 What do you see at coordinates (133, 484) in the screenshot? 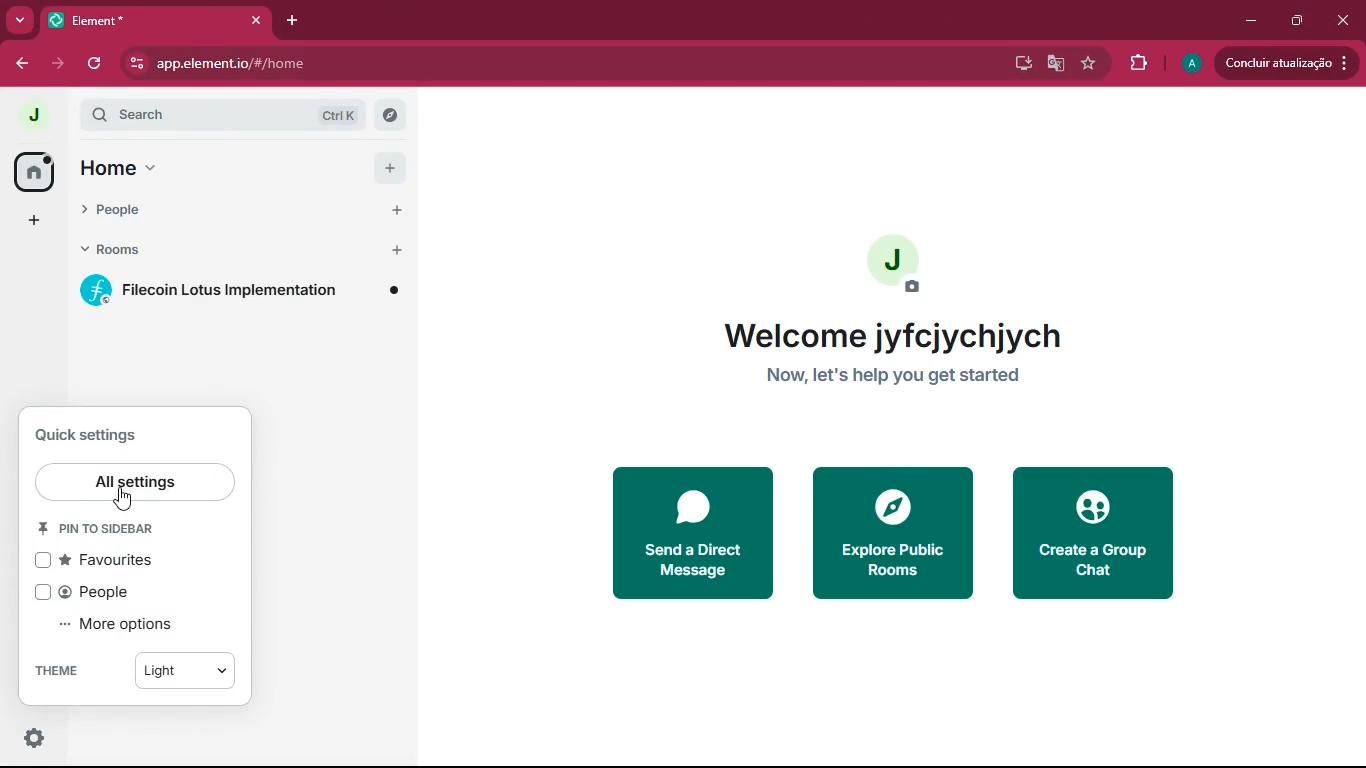
I see `all settings` at bounding box center [133, 484].